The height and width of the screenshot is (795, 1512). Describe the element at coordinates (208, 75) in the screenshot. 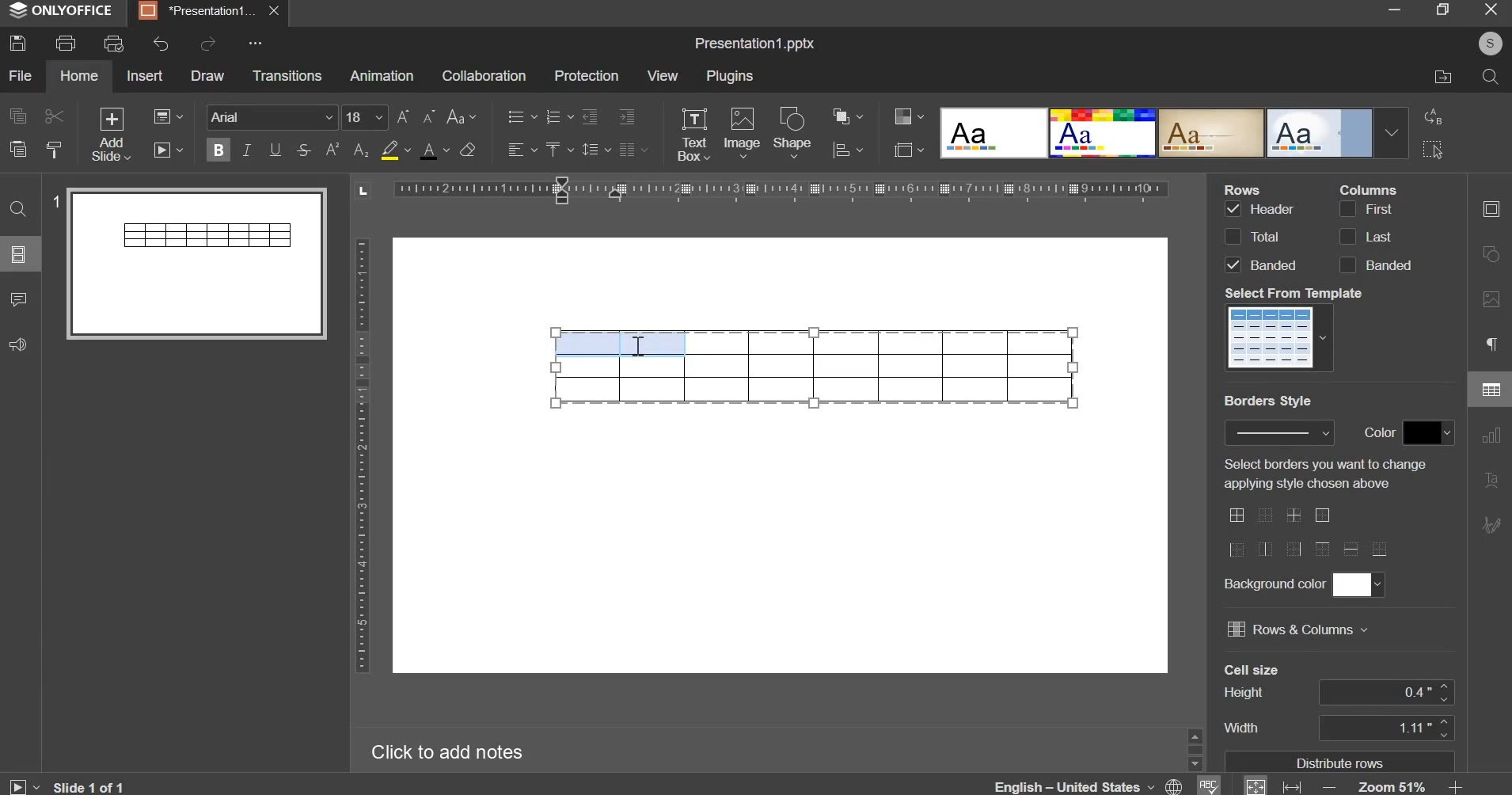

I see `draw` at that location.